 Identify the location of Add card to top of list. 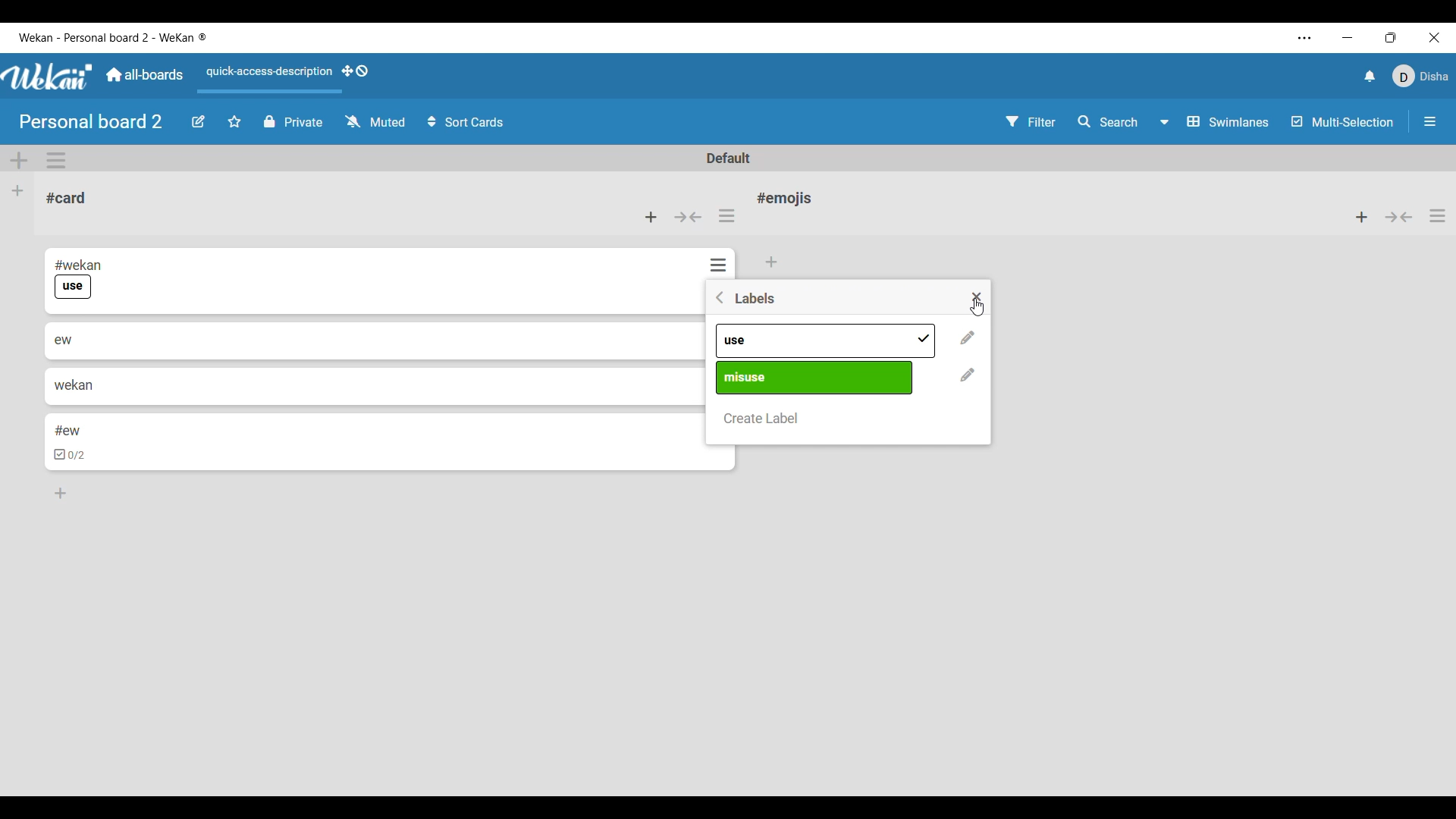
(651, 217).